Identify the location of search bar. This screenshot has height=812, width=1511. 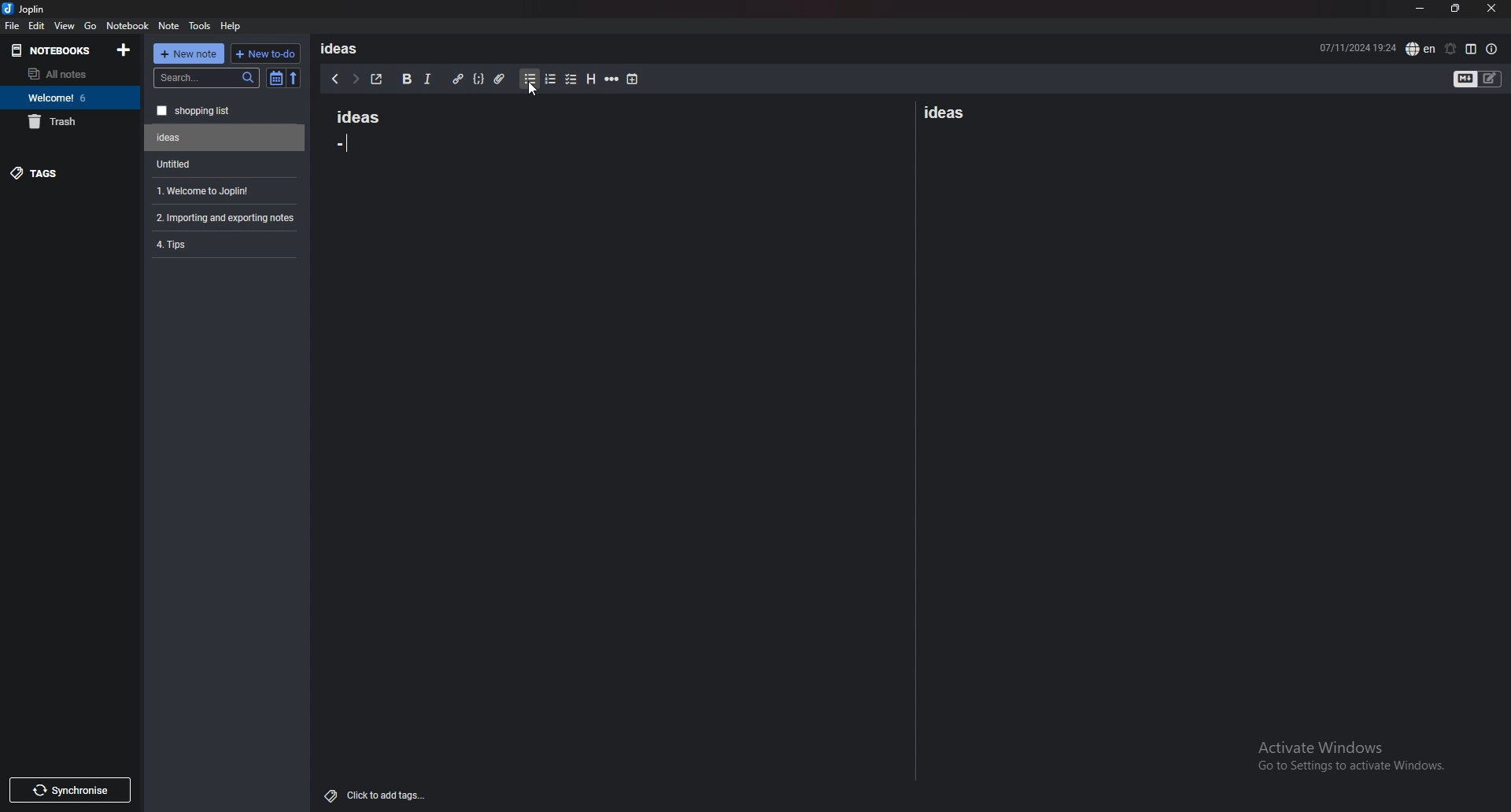
(207, 78).